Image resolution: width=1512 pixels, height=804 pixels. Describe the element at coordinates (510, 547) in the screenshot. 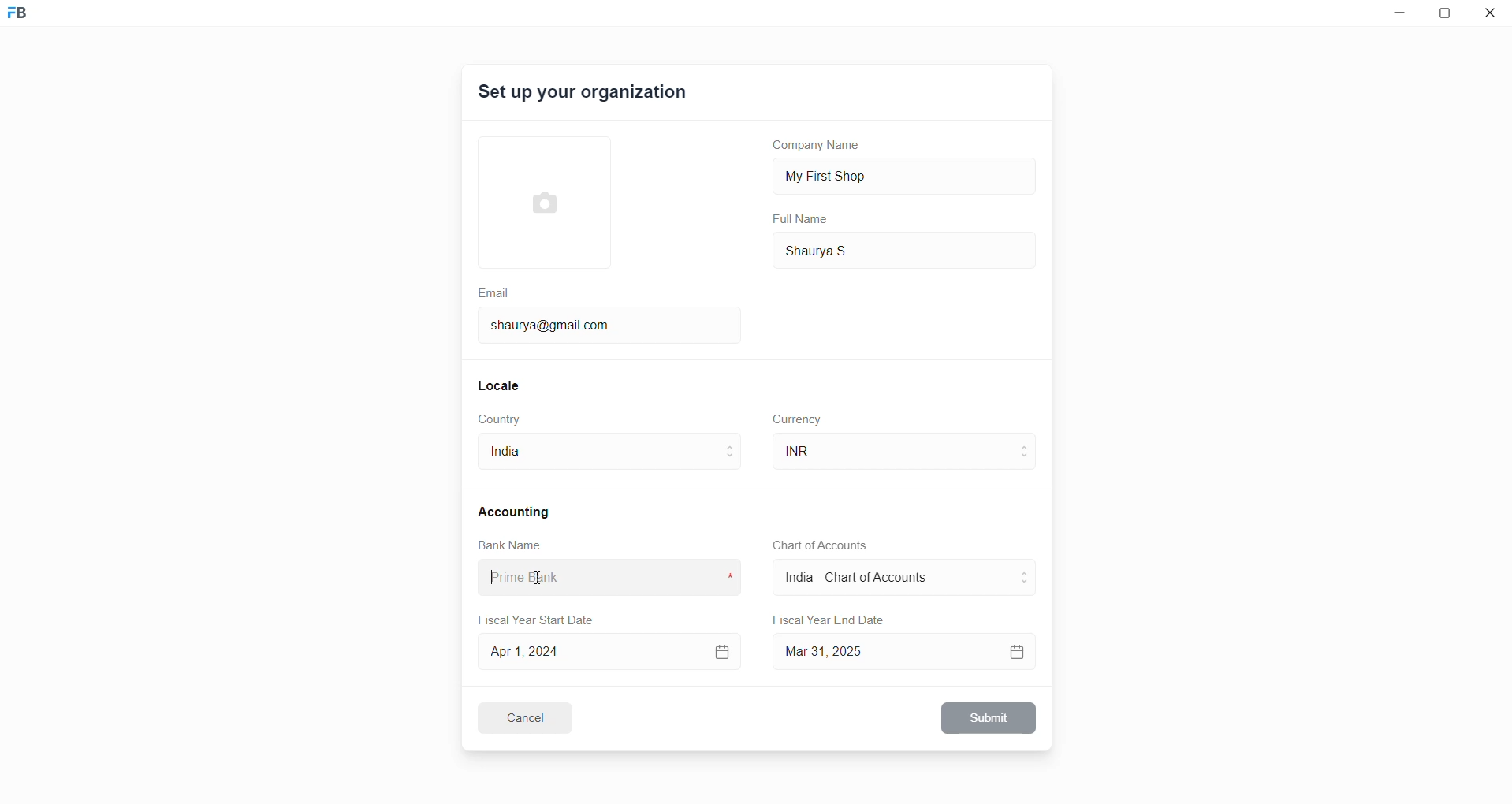

I see `Bank Name` at that location.